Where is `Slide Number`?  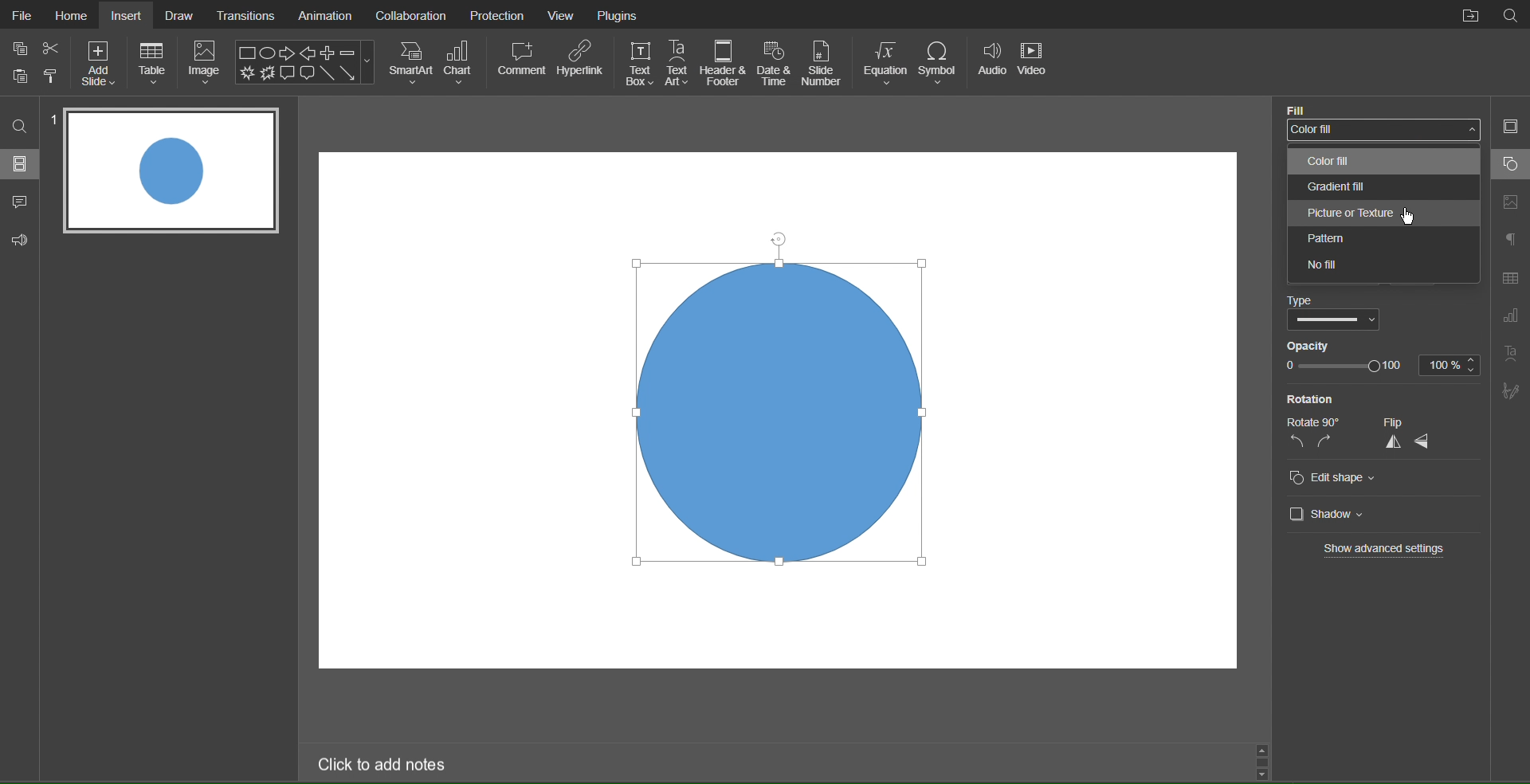 Slide Number is located at coordinates (822, 63).